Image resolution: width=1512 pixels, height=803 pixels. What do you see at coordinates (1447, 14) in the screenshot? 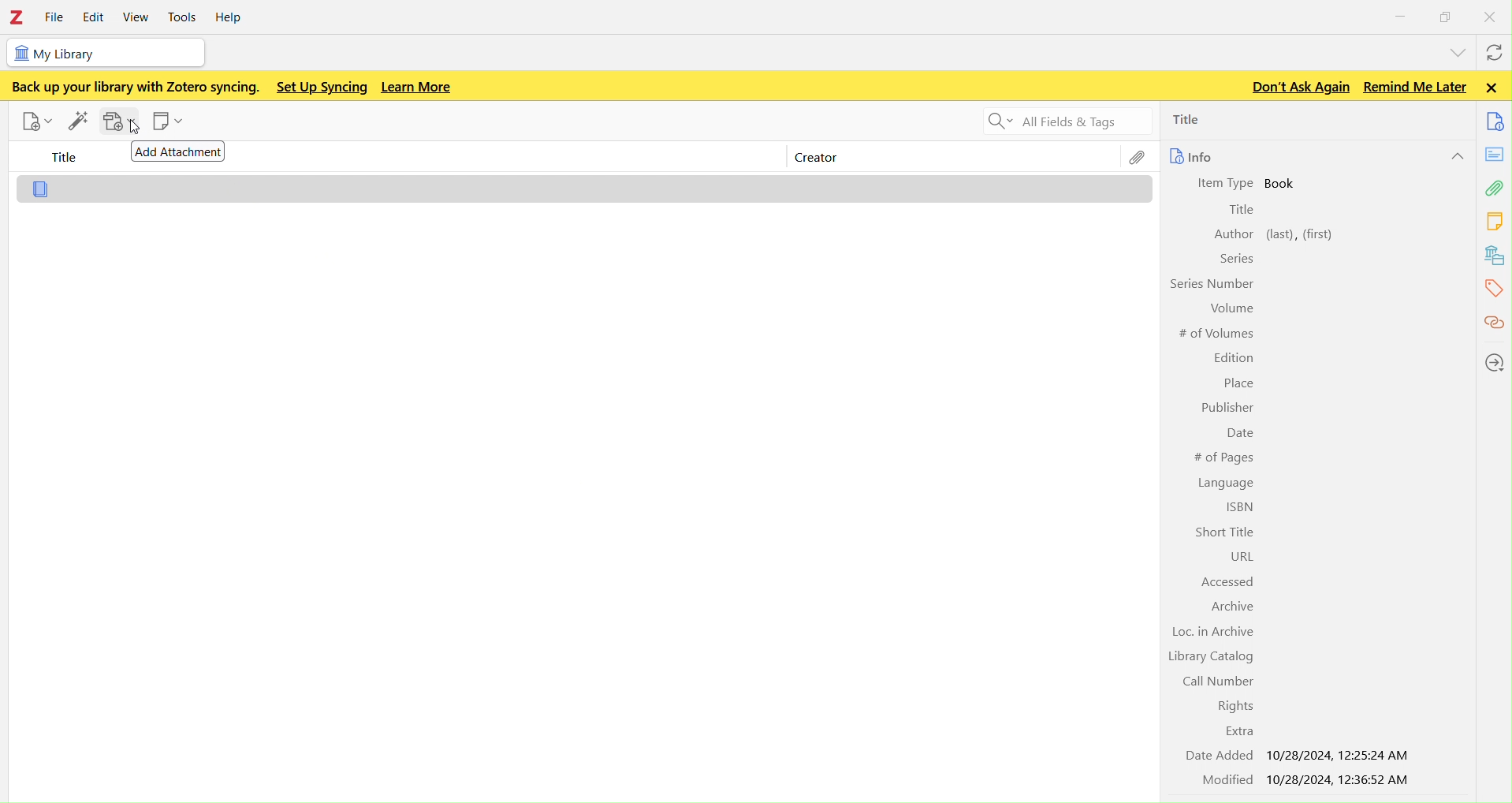
I see `windows` at bounding box center [1447, 14].